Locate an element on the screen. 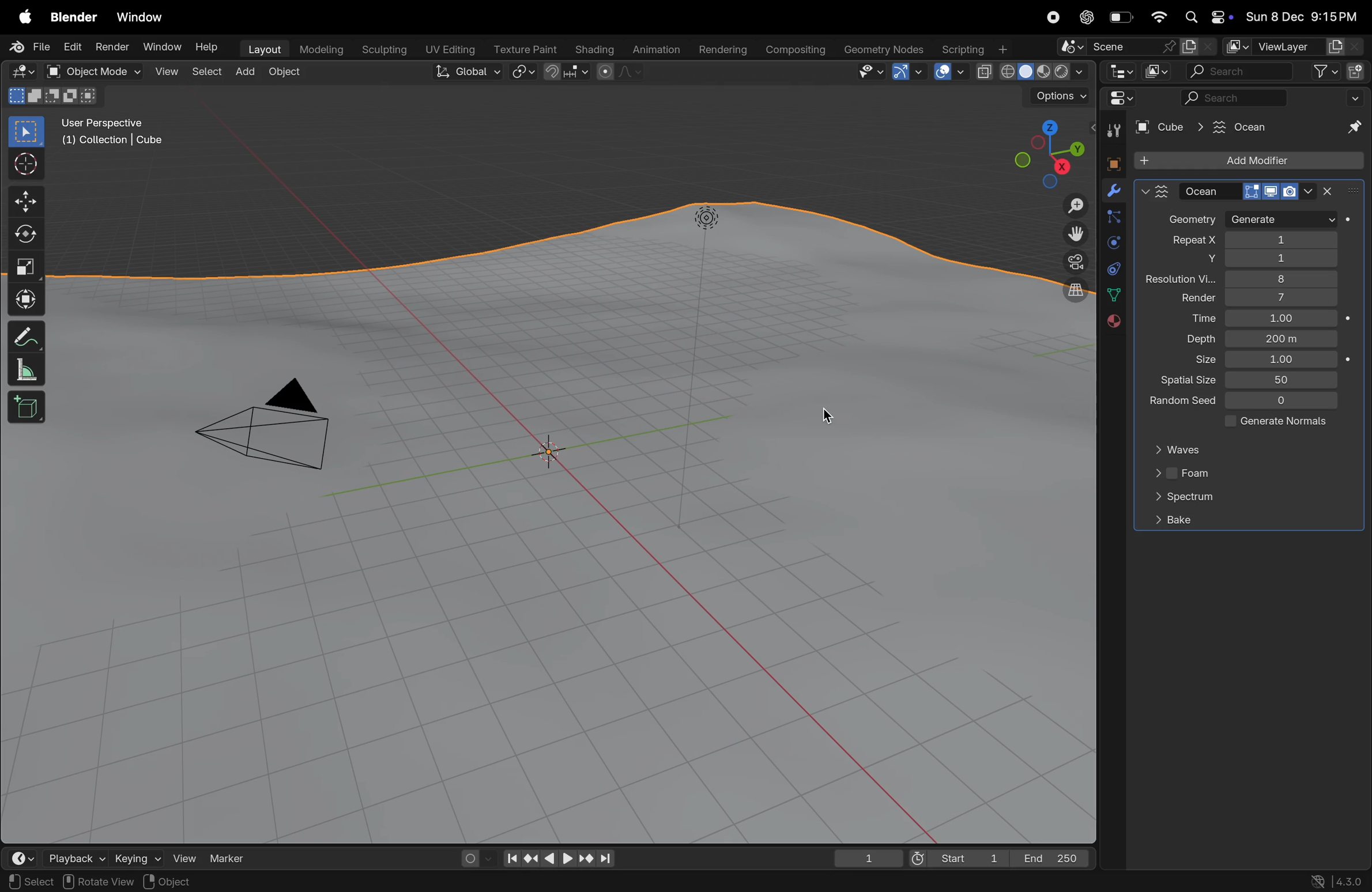  render is located at coordinates (111, 47).